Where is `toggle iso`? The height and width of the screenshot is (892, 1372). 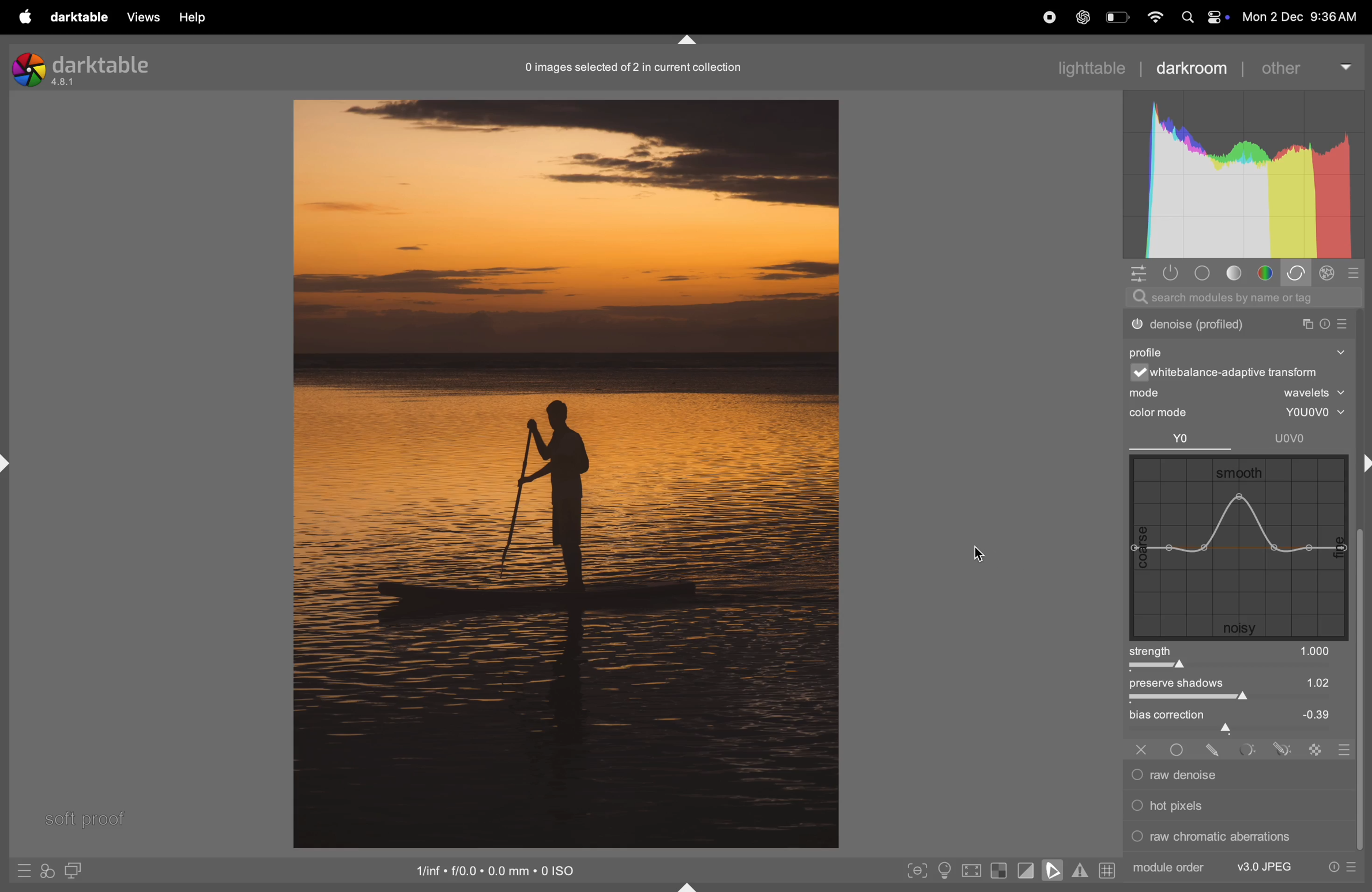
toggle iso is located at coordinates (943, 870).